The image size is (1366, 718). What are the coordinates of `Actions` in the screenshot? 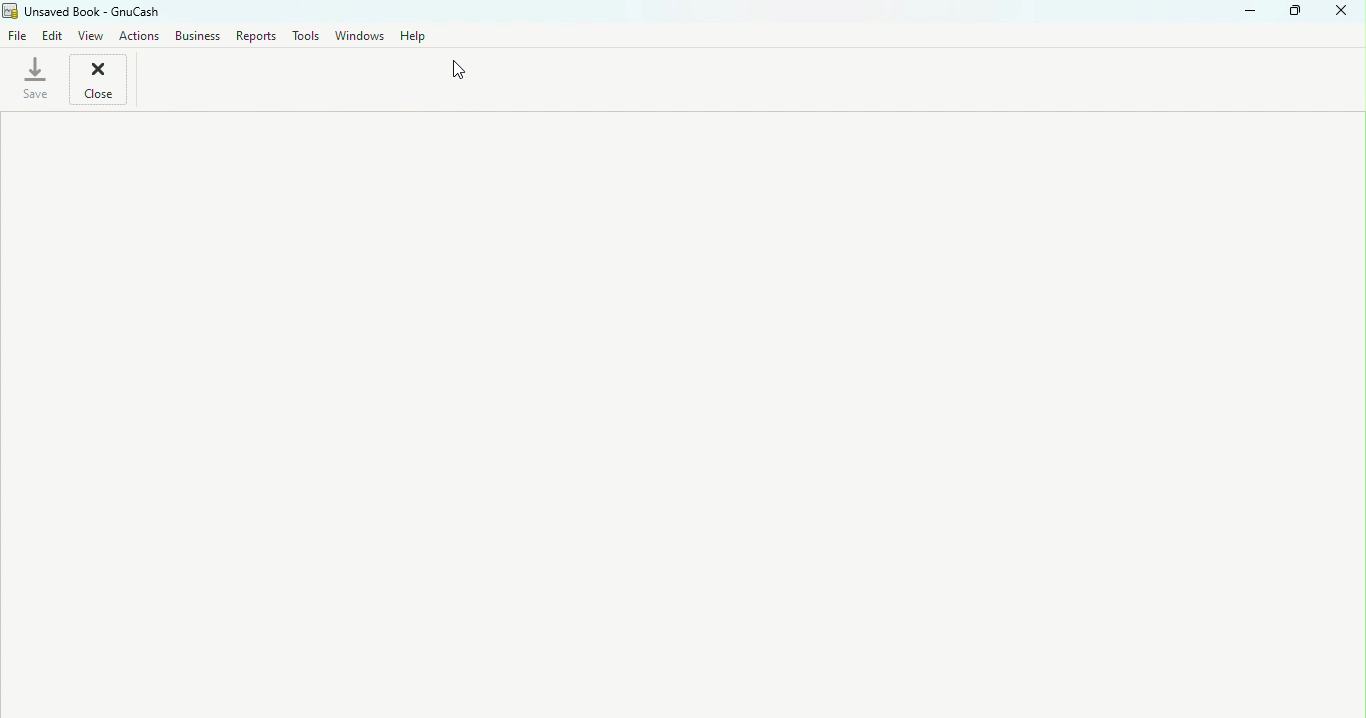 It's located at (141, 40).